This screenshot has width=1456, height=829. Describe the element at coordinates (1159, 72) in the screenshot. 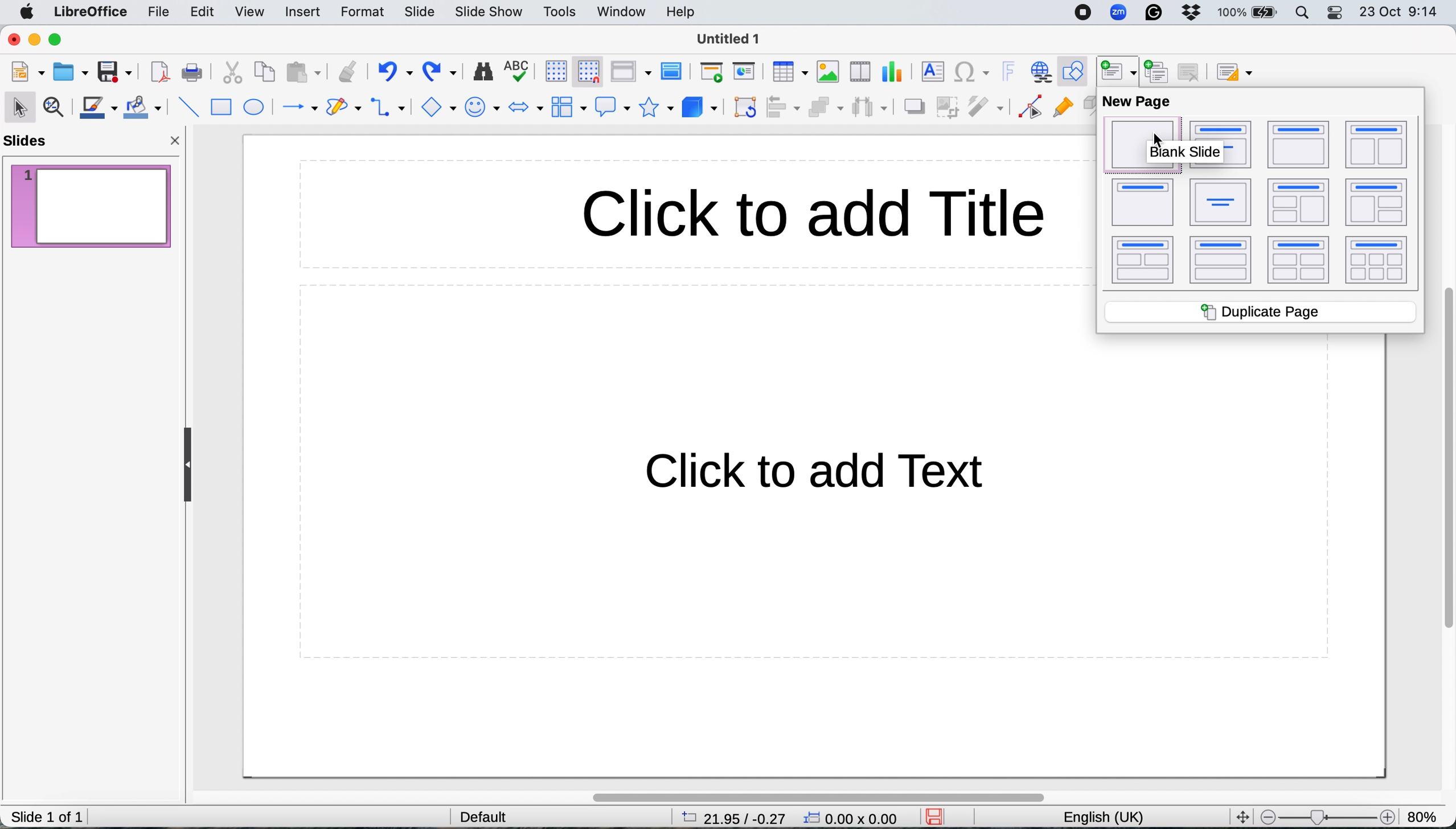

I see `duplicate slide` at that location.